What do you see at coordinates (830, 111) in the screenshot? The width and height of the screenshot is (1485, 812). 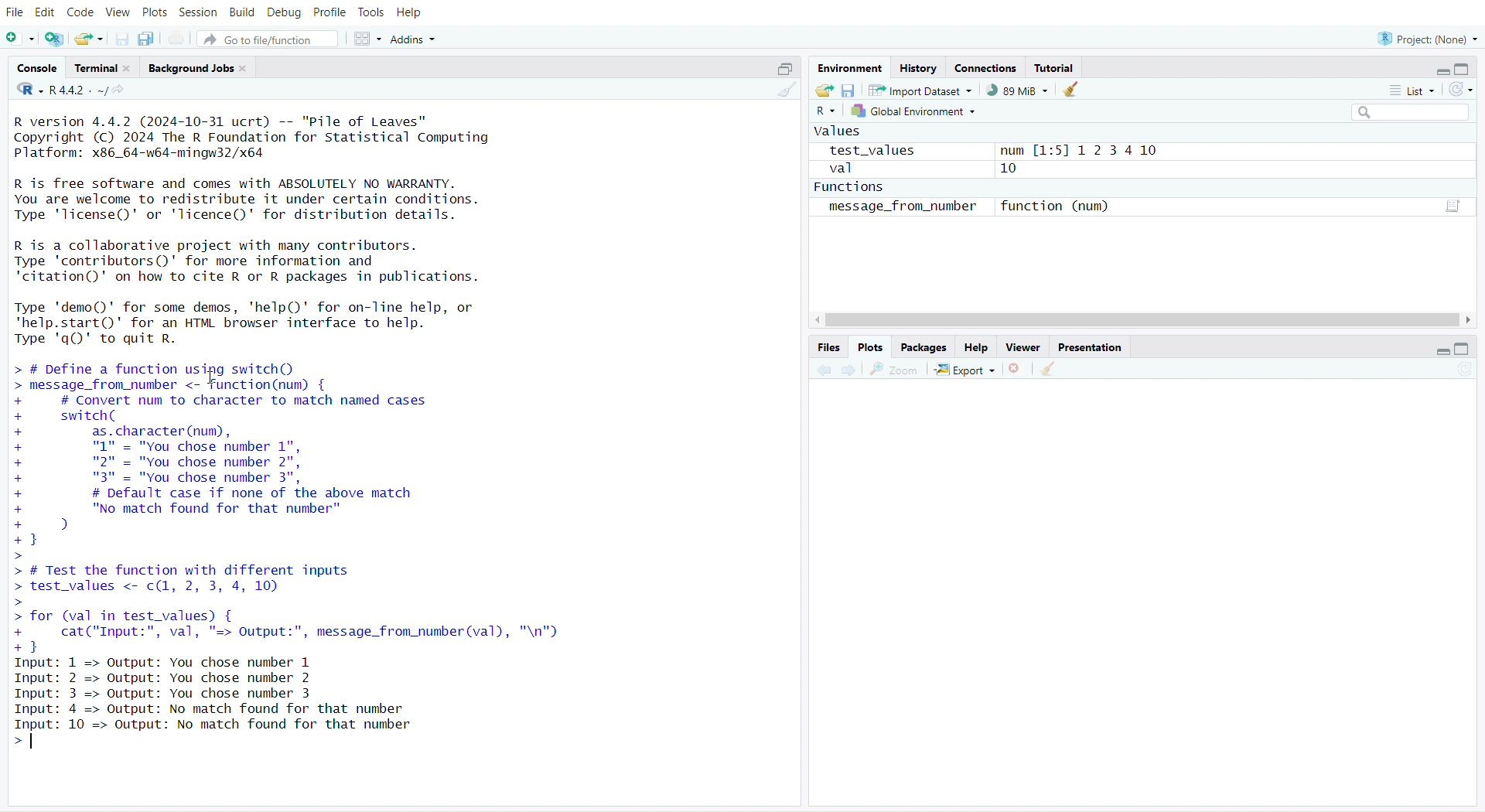 I see `R` at bounding box center [830, 111].